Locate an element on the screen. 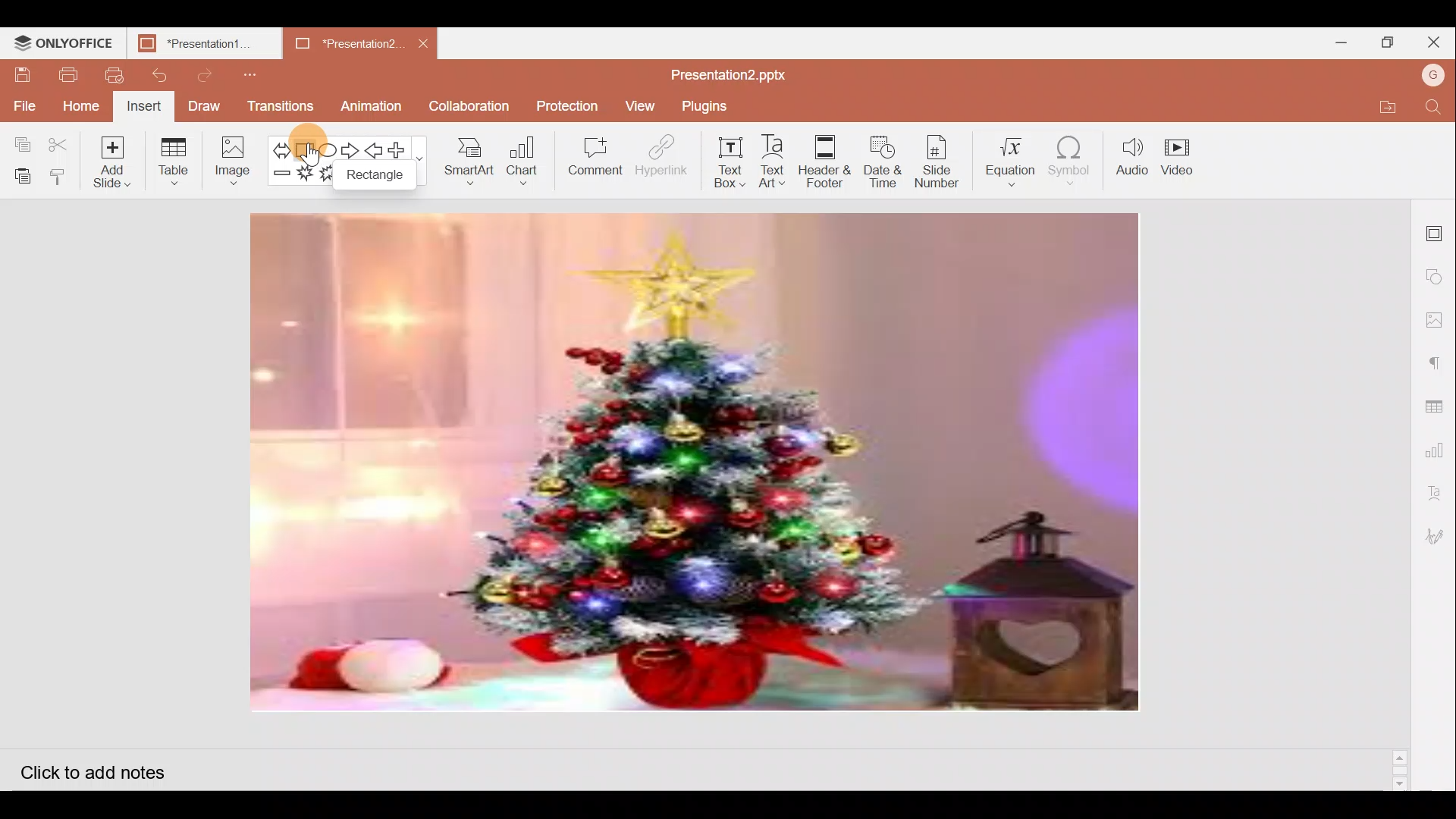 Image resolution: width=1456 pixels, height=819 pixels. Audio is located at coordinates (1132, 159).